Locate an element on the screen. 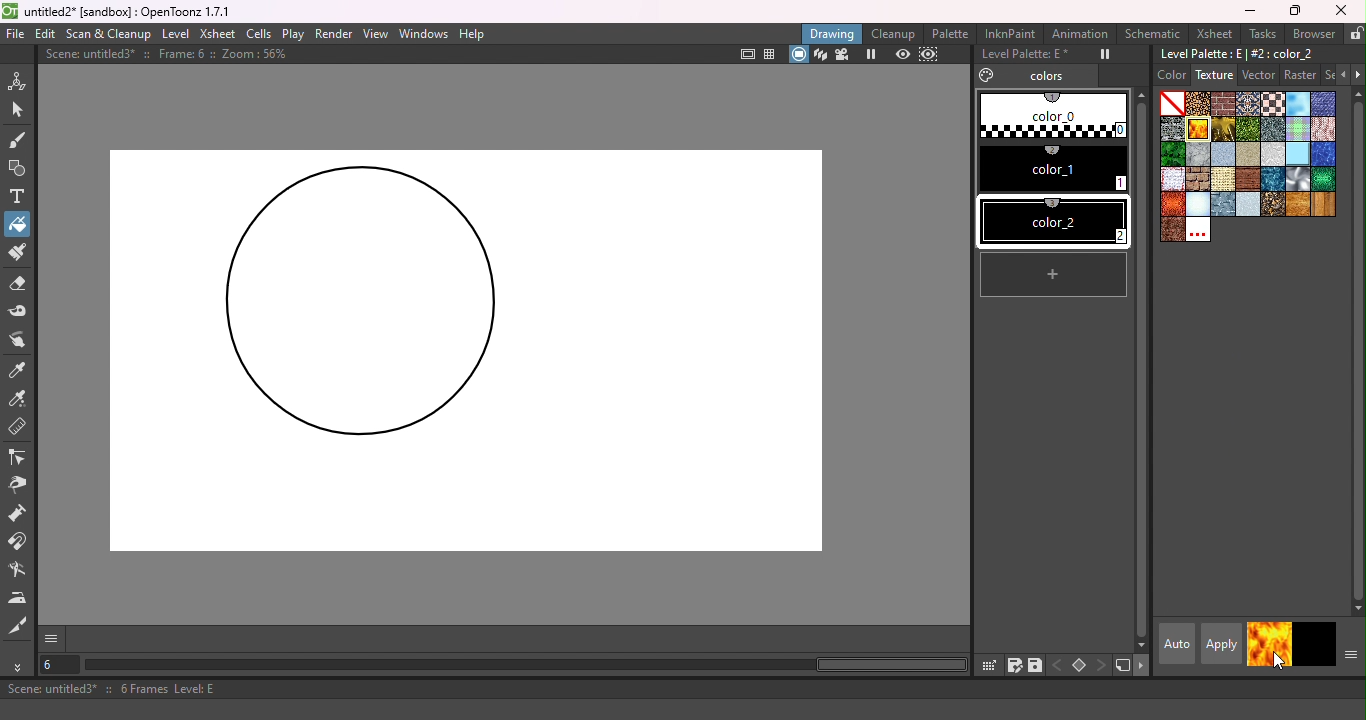 The image size is (1366, 720). Fill tool is located at coordinates (17, 227).